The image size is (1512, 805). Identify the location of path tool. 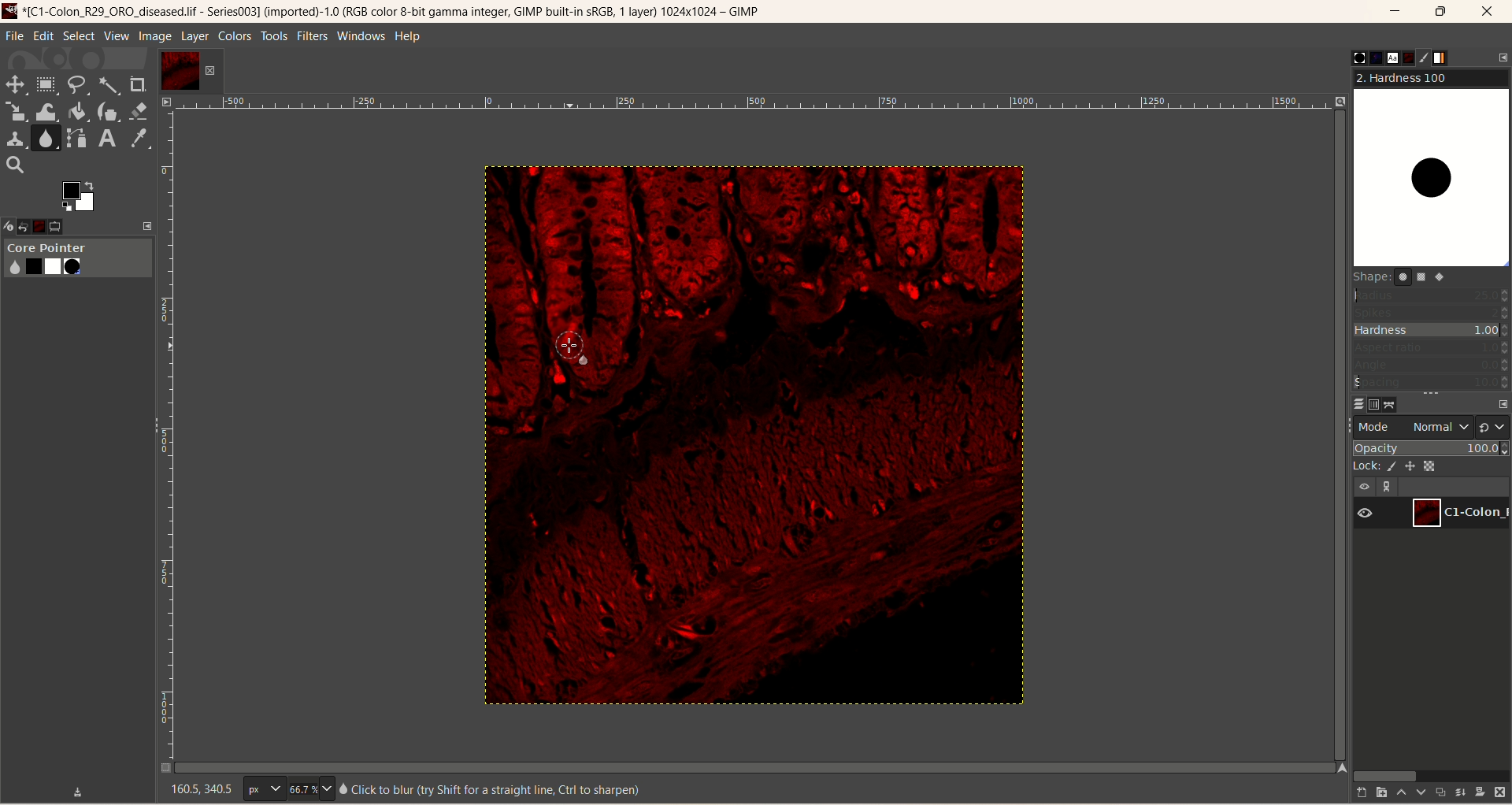
(78, 138).